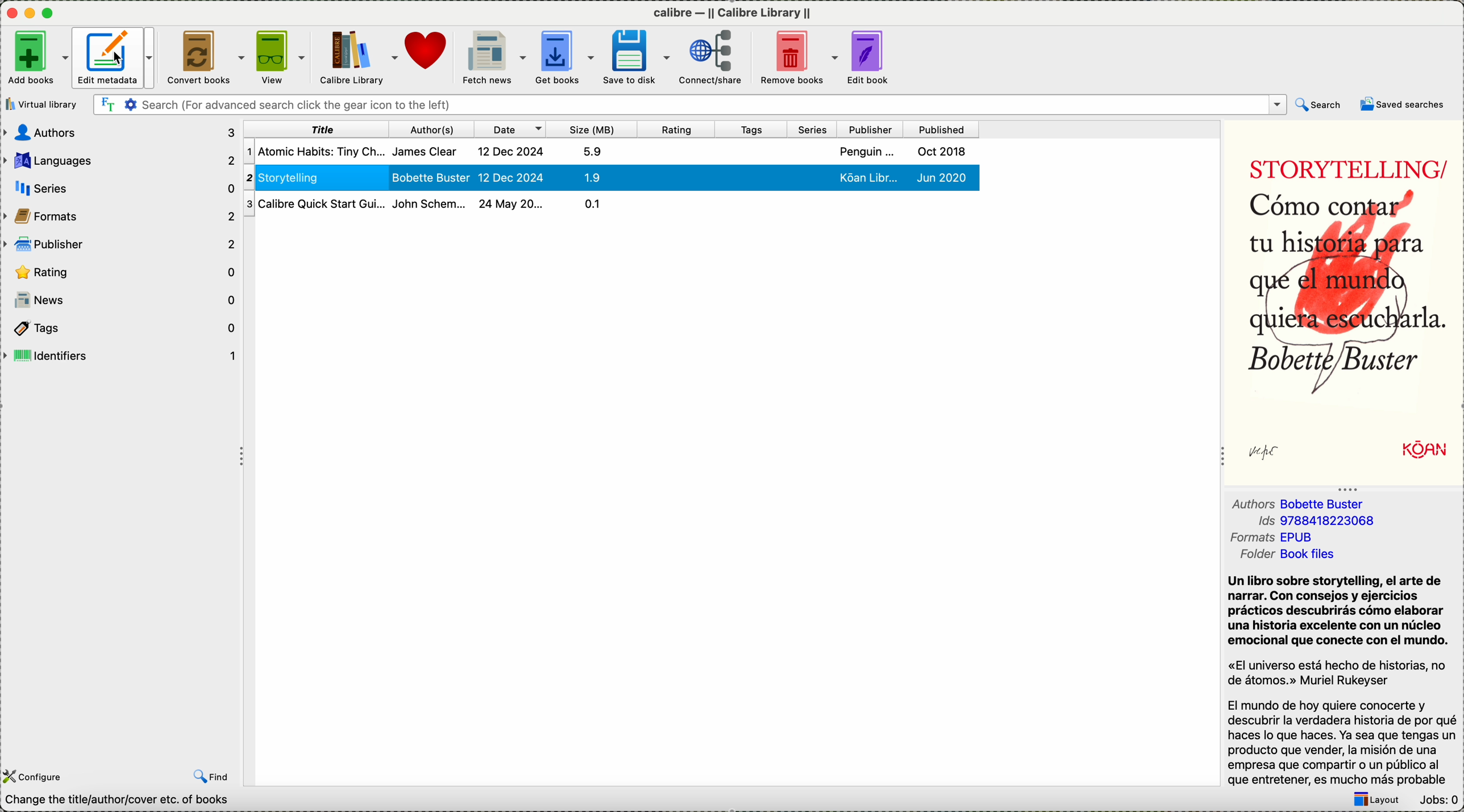 The height and width of the screenshot is (812, 1464). Describe the element at coordinates (594, 130) in the screenshot. I see `size` at that location.